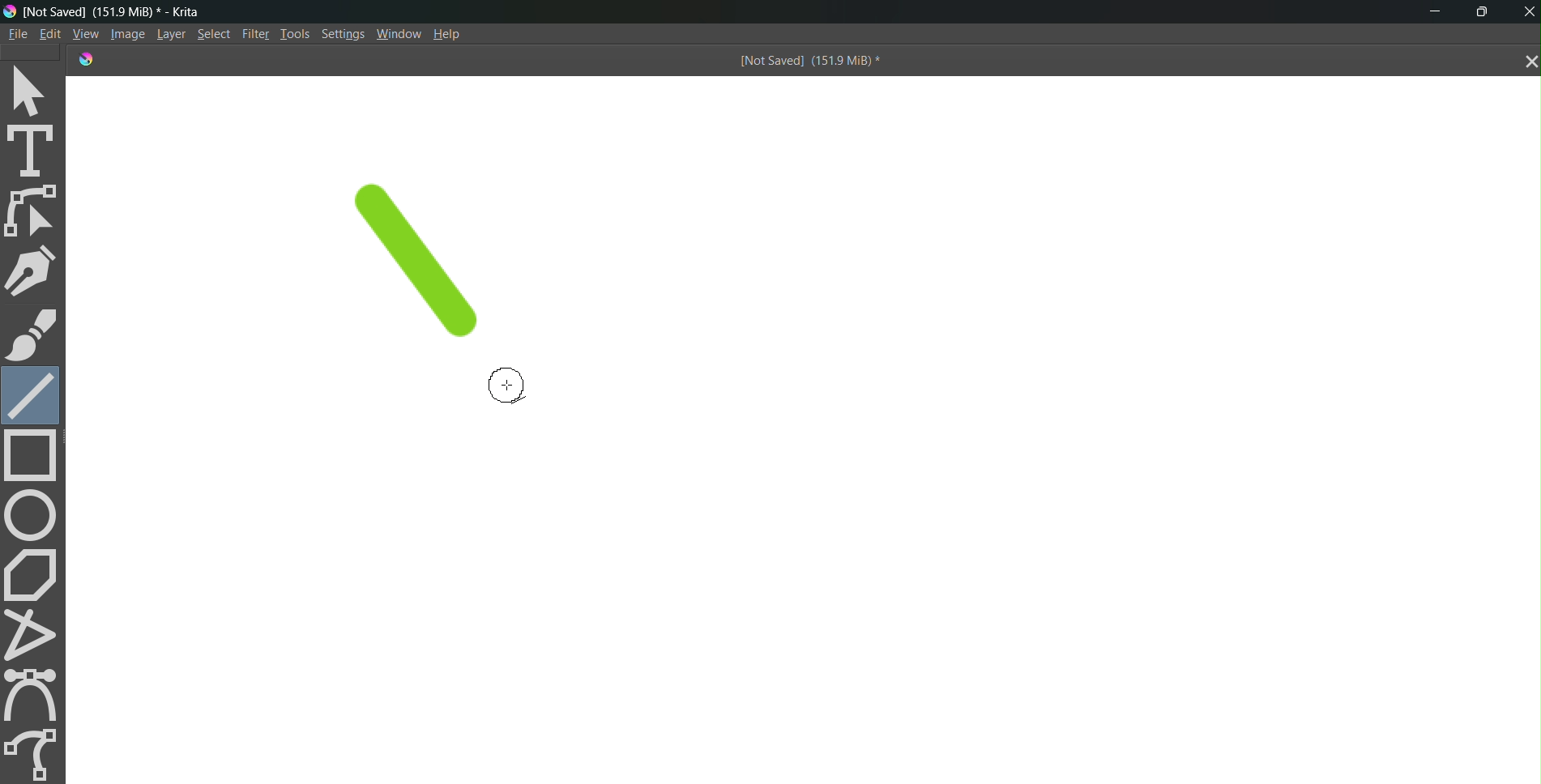 Image resolution: width=1541 pixels, height=784 pixels. What do you see at coordinates (344, 36) in the screenshot?
I see `Settings` at bounding box center [344, 36].